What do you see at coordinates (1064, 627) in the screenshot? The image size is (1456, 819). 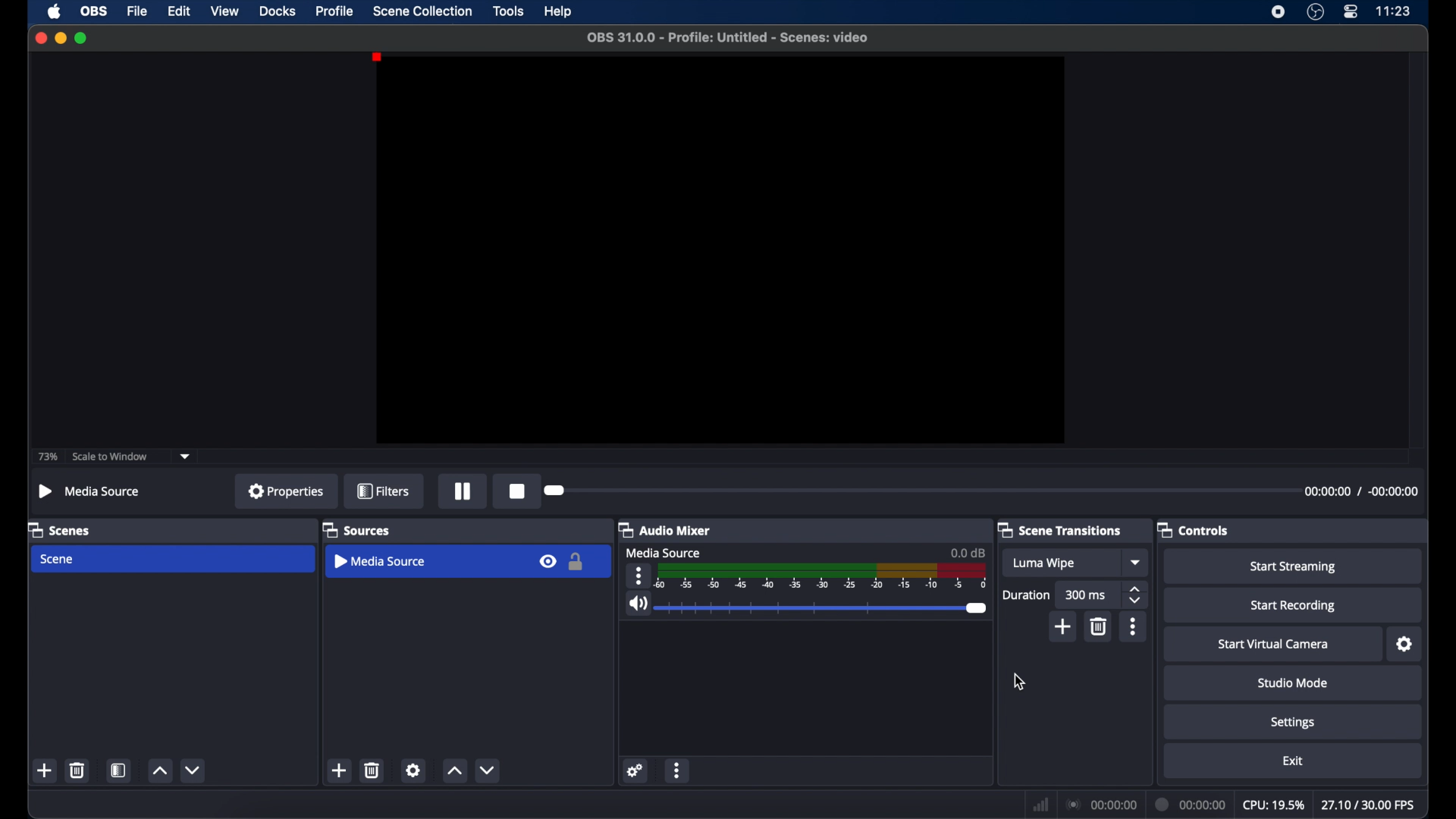 I see `add` at bounding box center [1064, 627].